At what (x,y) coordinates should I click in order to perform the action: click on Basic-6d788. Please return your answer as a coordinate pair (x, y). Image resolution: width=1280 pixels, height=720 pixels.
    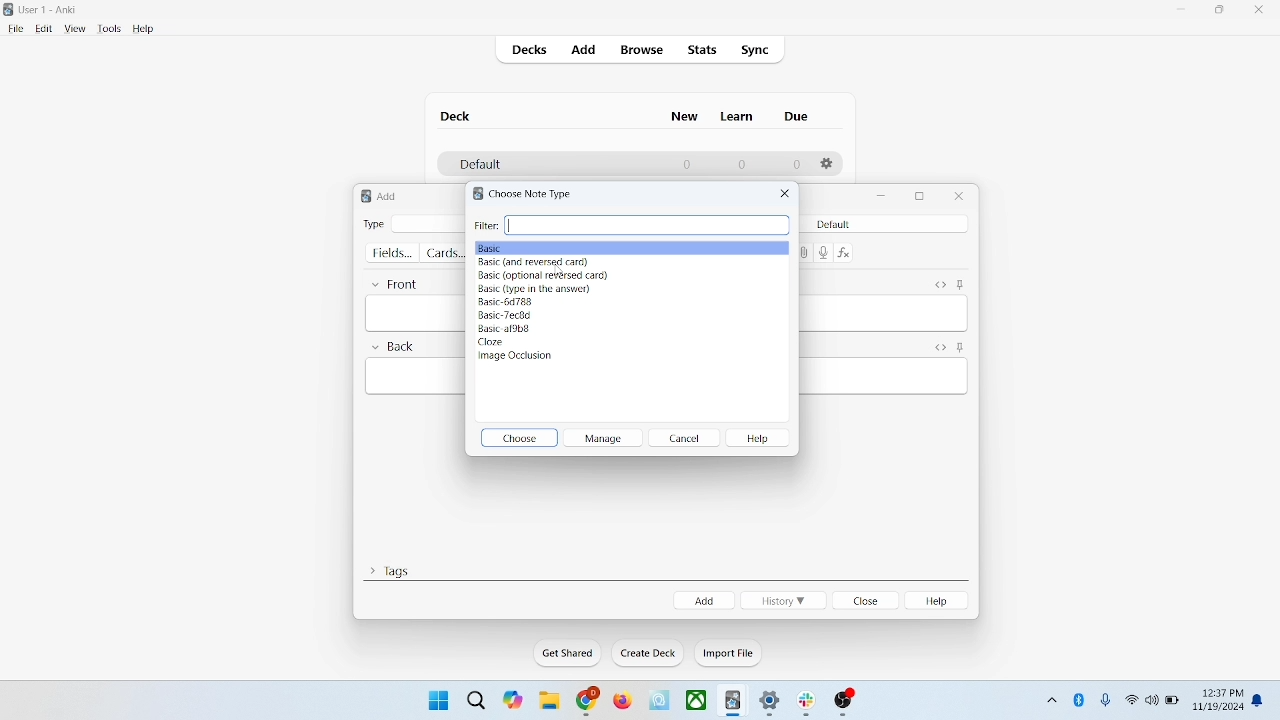
    Looking at the image, I should click on (508, 303).